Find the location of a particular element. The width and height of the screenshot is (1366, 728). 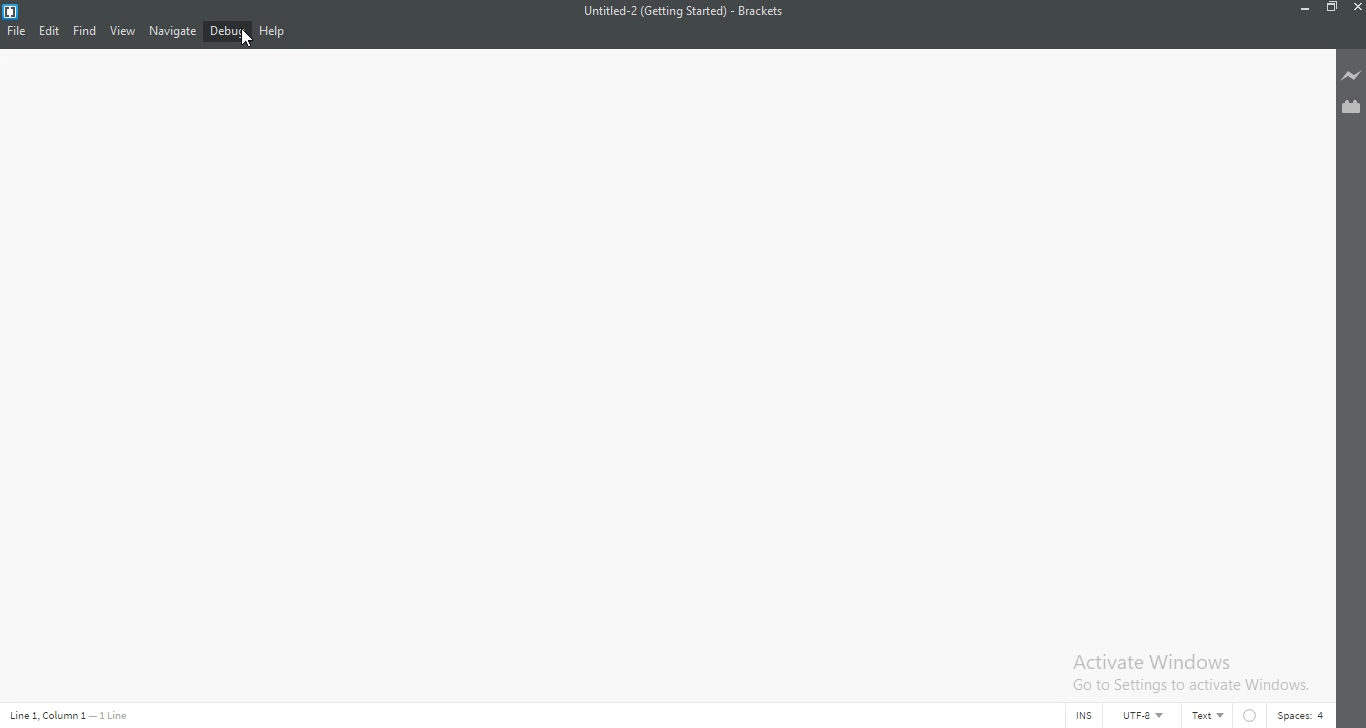

INS is located at coordinates (1084, 716).